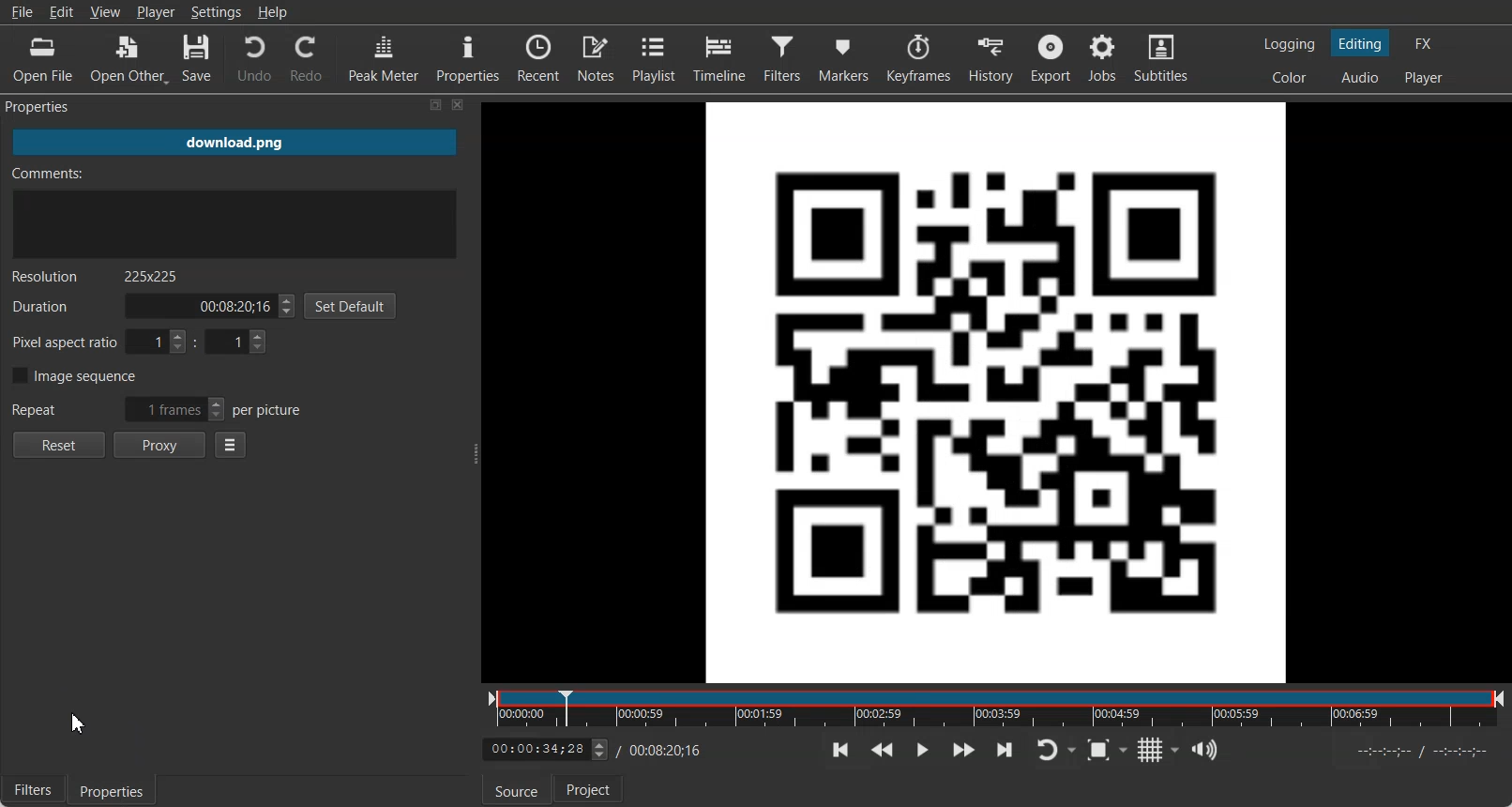 Image resolution: width=1512 pixels, height=807 pixels. Describe the element at coordinates (1359, 43) in the screenshot. I see `Switch to Editing layout` at that location.